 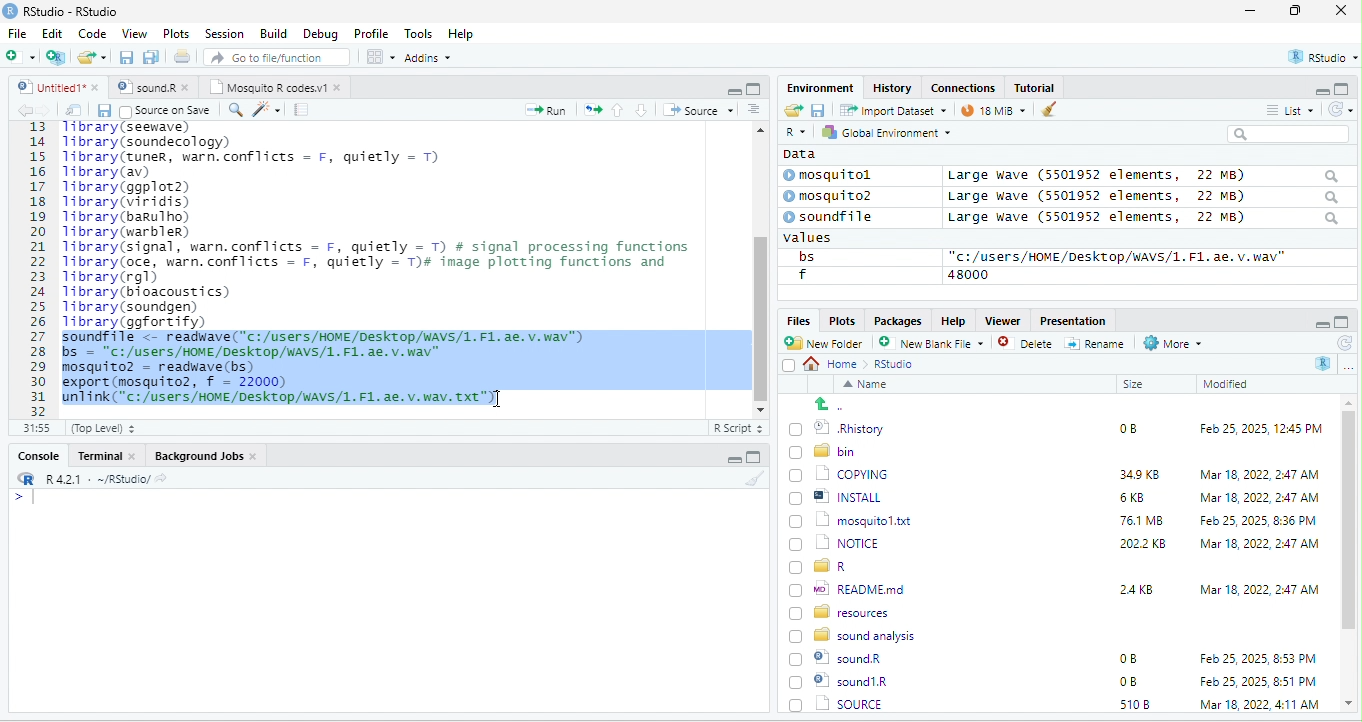 I want to click on brush, so click(x=1044, y=111).